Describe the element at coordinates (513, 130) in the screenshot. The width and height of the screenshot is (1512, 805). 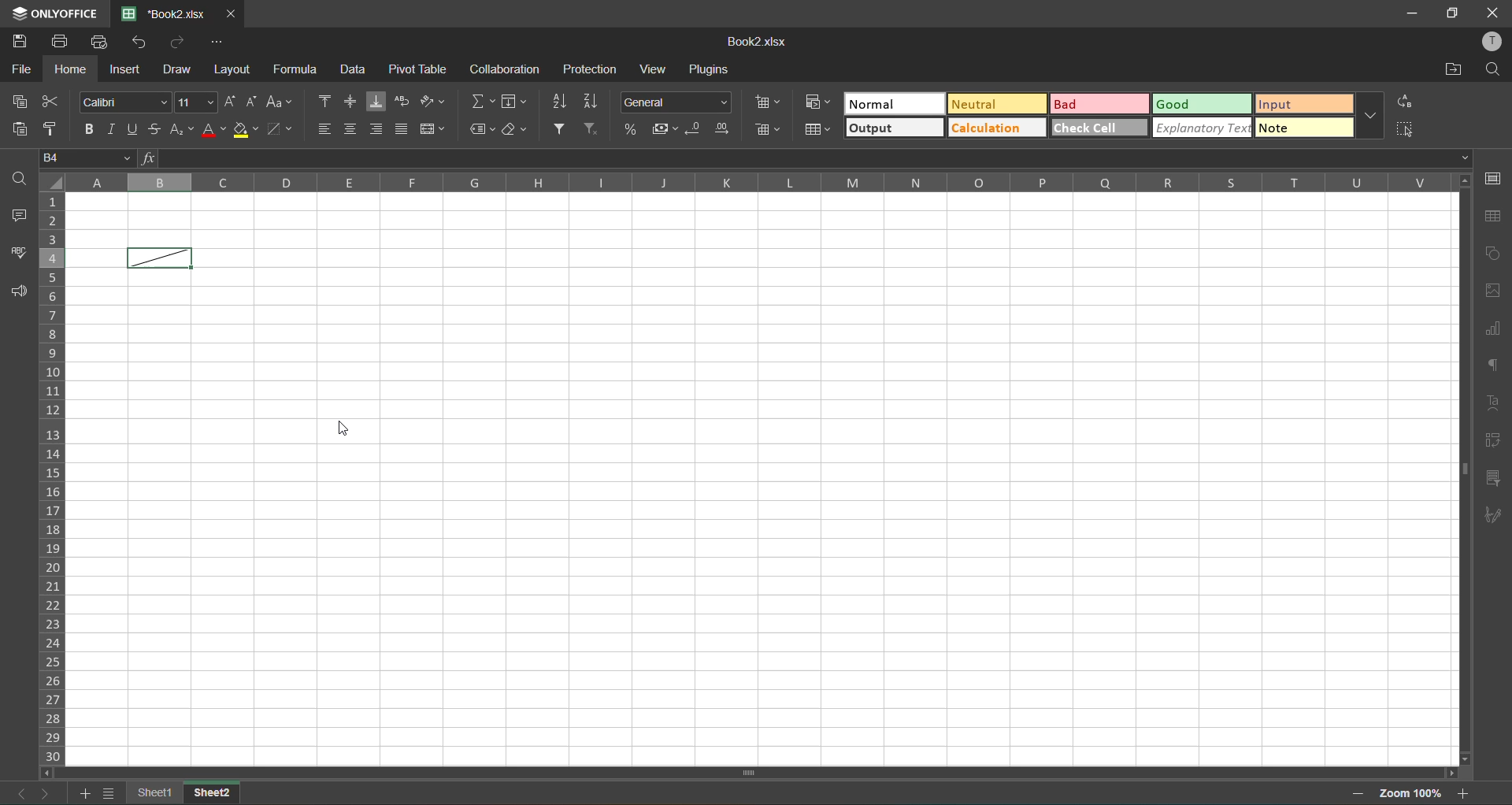
I see `clear` at that location.